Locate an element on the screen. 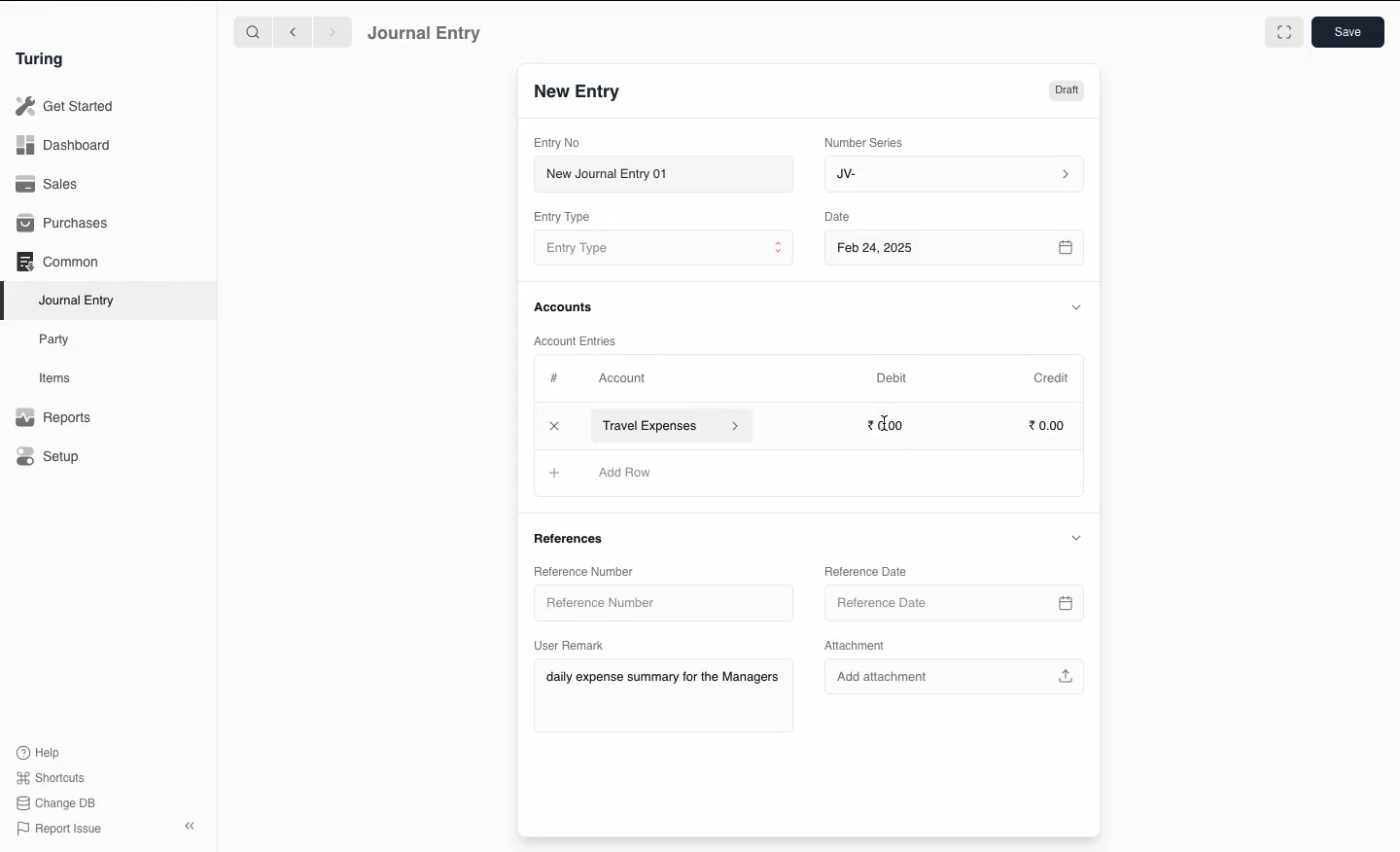 The image size is (1400, 852). Entry No is located at coordinates (557, 143).